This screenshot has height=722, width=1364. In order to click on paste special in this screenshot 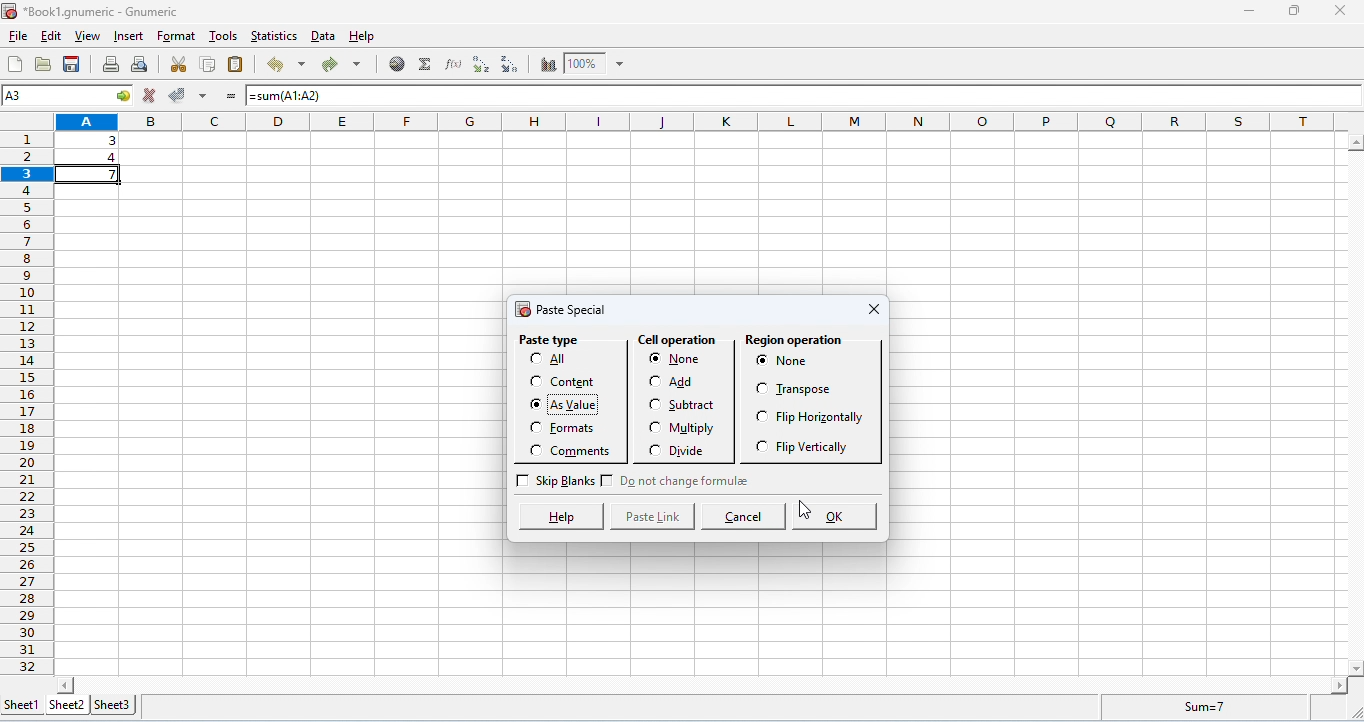, I will do `click(562, 311)`.